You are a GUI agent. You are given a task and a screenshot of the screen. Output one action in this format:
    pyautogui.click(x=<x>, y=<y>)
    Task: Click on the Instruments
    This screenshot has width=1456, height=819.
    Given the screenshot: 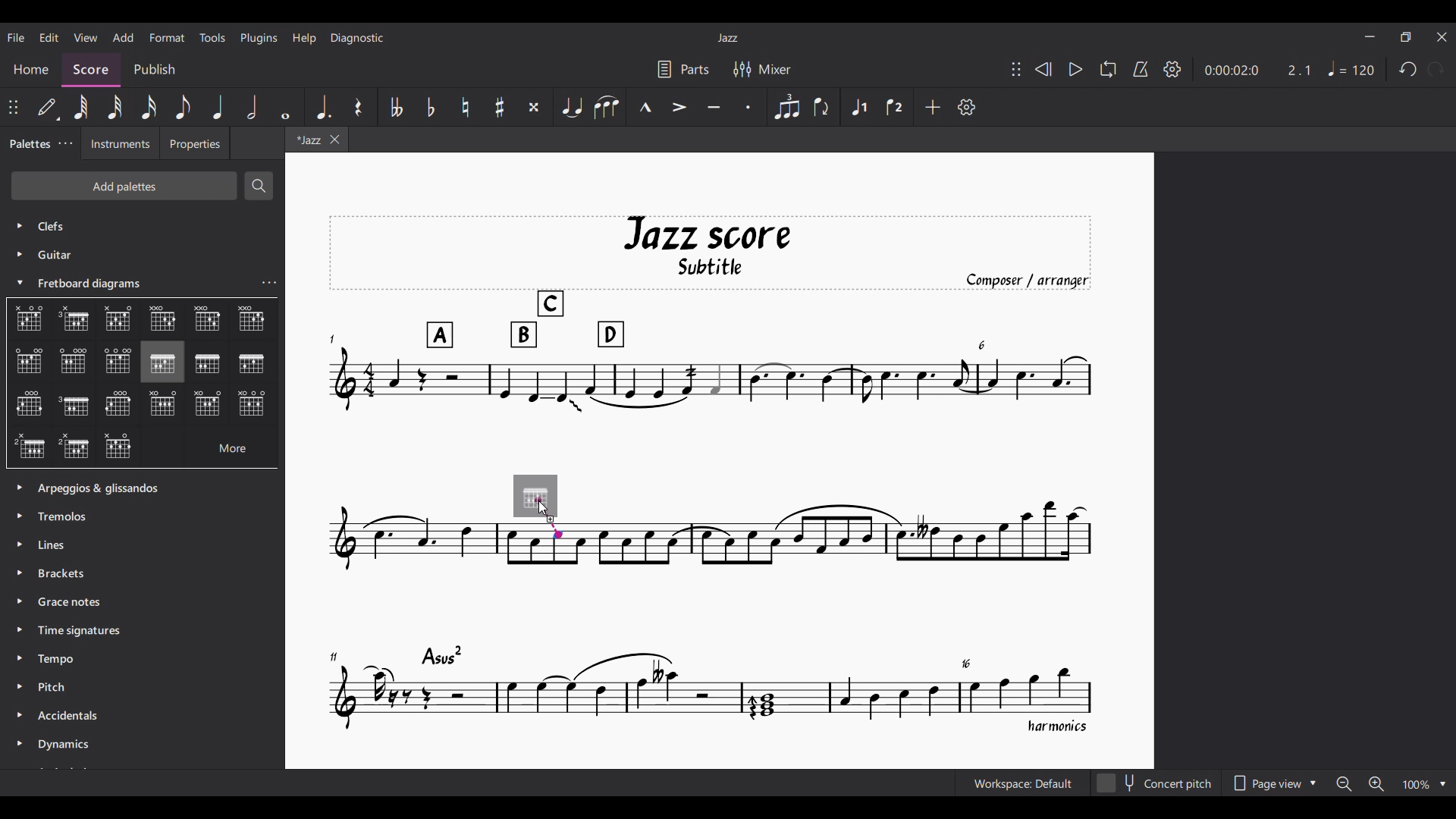 What is the action you would take?
    pyautogui.click(x=124, y=144)
    